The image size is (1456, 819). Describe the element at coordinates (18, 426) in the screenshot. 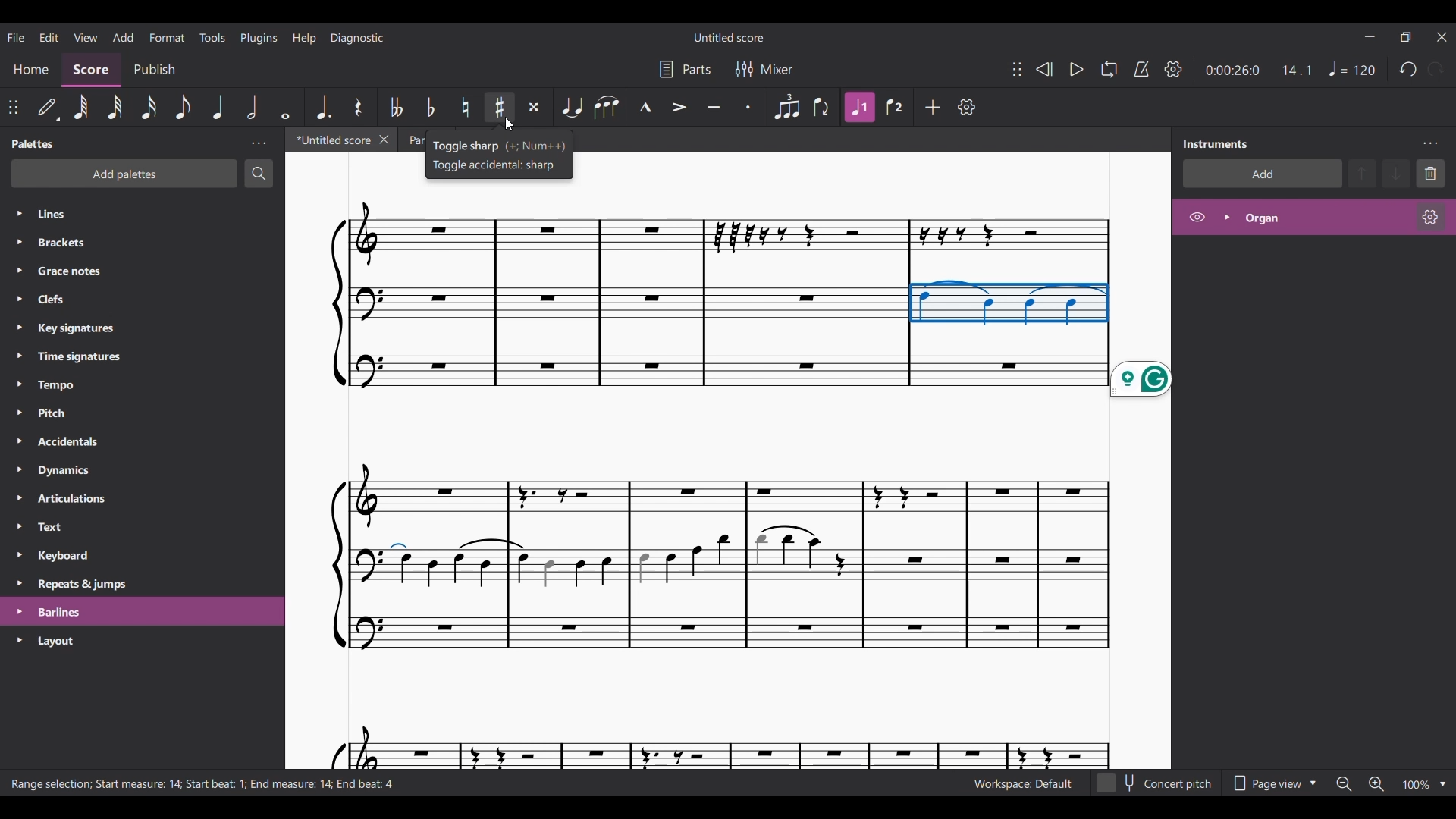

I see `Expand respective palettes` at that location.